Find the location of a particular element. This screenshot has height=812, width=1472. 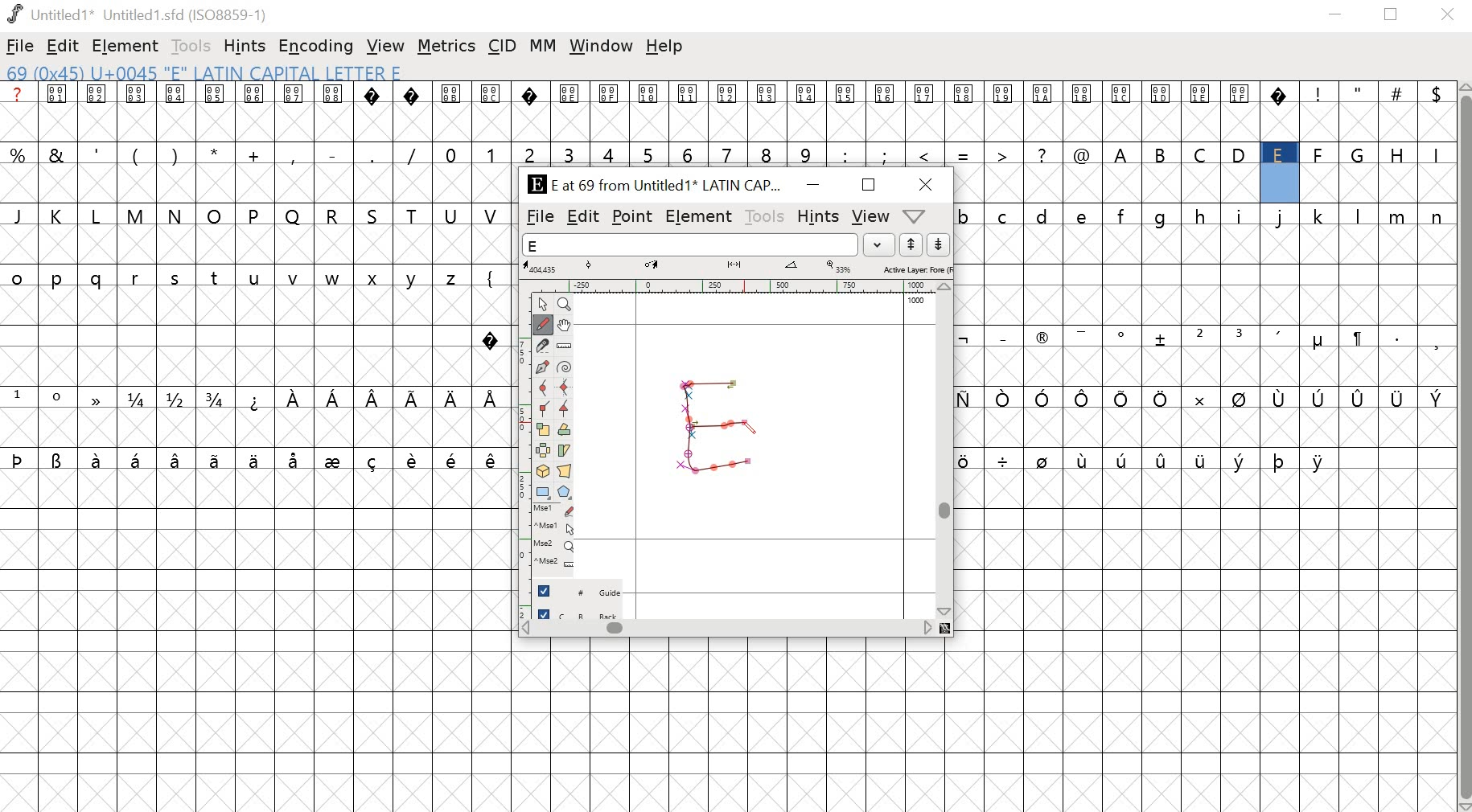

scrollbar is located at coordinates (1463, 446).